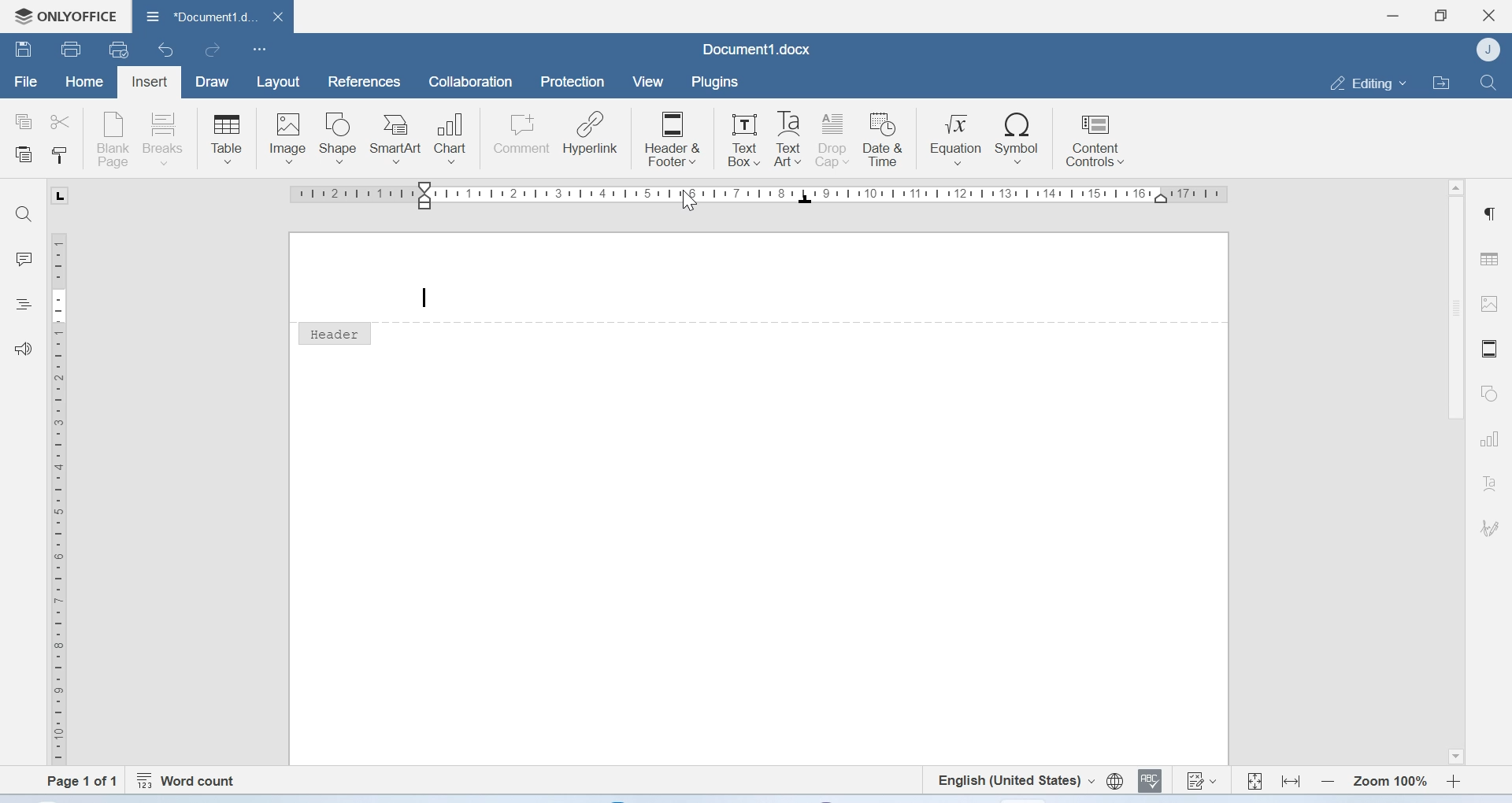 The height and width of the screenshot is (803, 1512). Describe the element at coordinates (287, 137) in the screenshot. I see `Image` at that location.